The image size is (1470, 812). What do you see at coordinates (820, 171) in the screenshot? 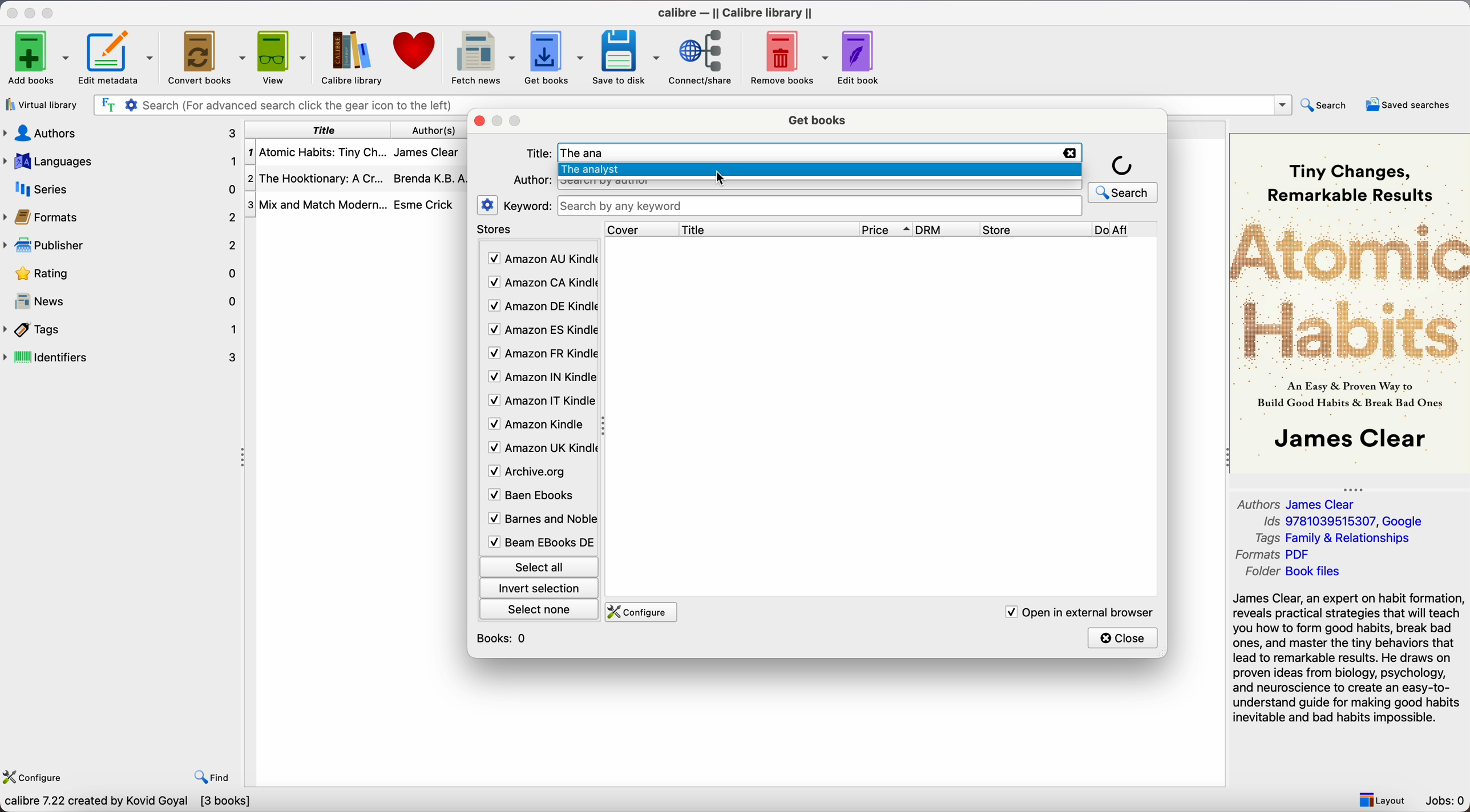
I see `The analyst` at bounding box center [820, 171].